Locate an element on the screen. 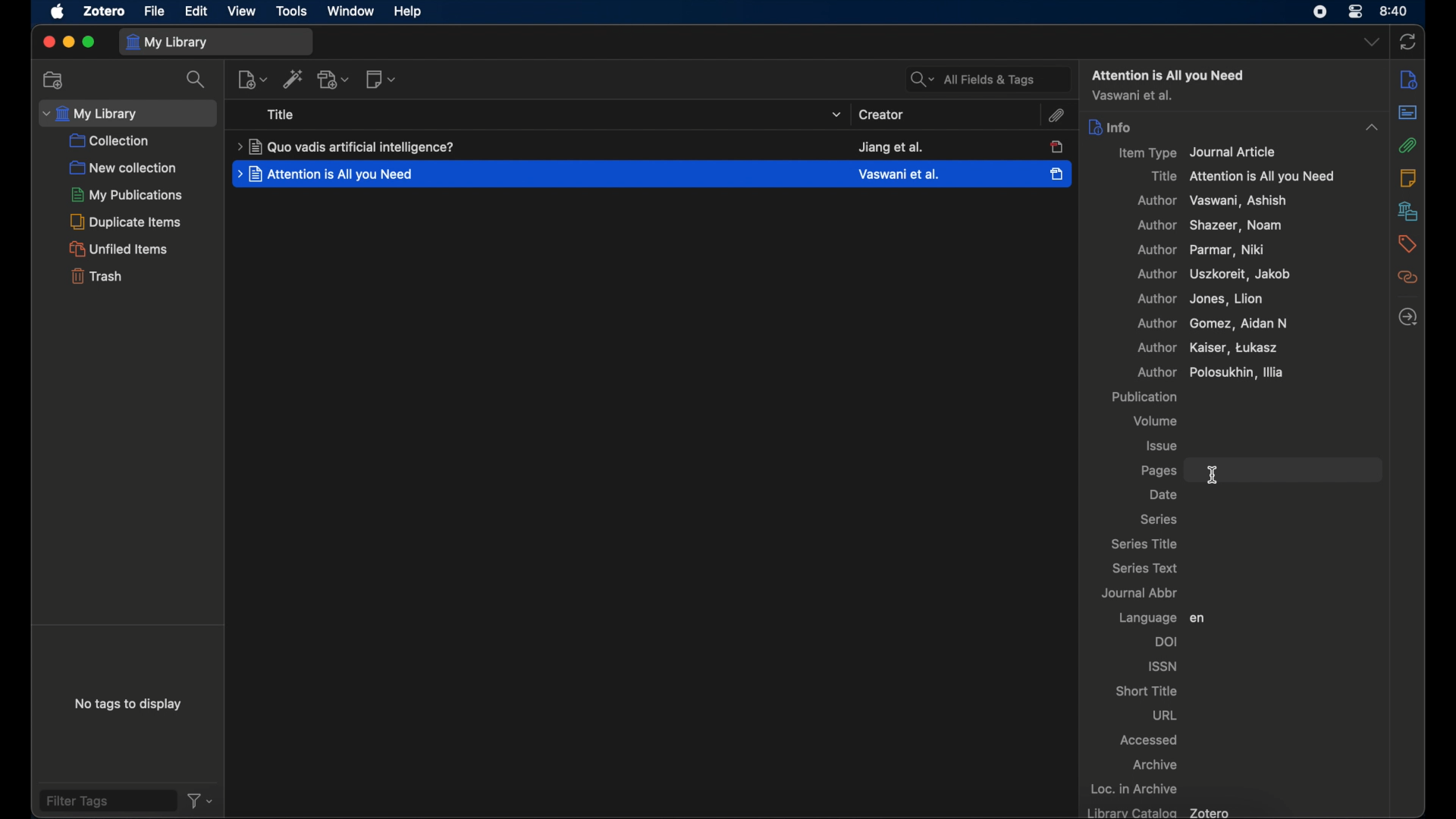 The width and height of the screenshot is (1456, 819). info is located at coordinates (1112, 127).